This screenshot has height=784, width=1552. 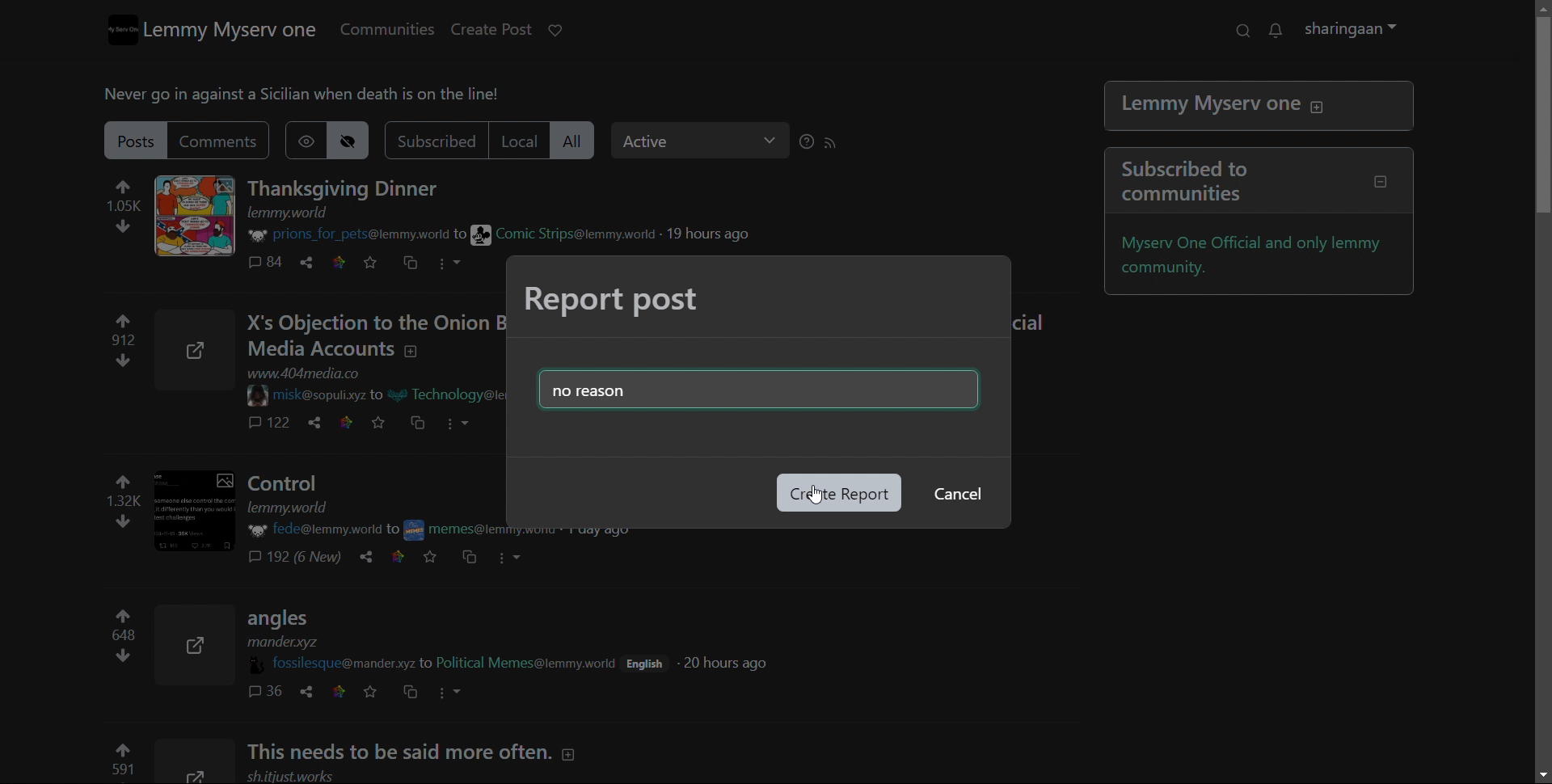 What do you see at coordinates (584, 141) in the screenshot?
I see `all` at bounding box center [584, 141].